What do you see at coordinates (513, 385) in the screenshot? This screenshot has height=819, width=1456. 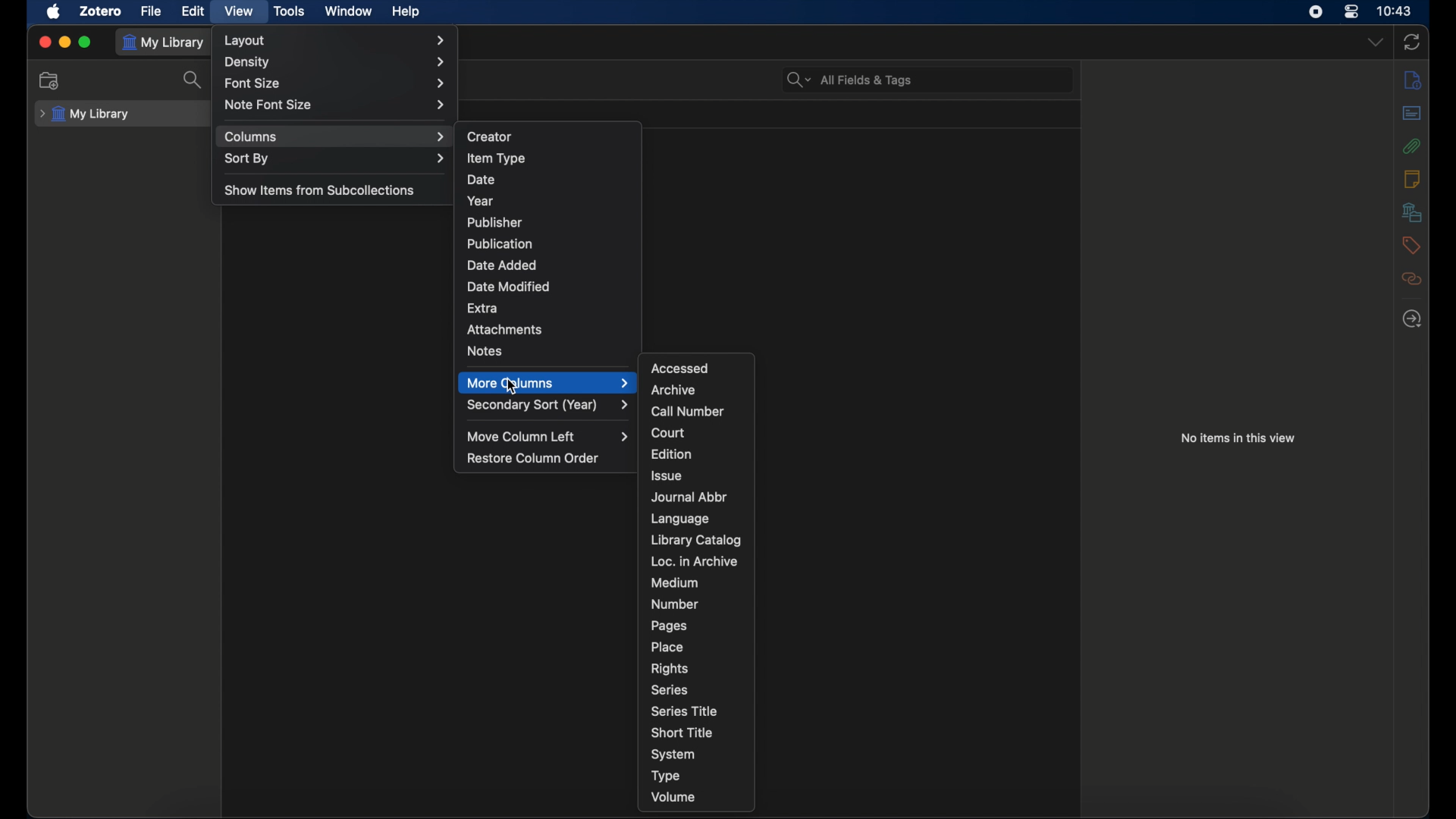 I see `cursor` at bounding box center [513, 385].